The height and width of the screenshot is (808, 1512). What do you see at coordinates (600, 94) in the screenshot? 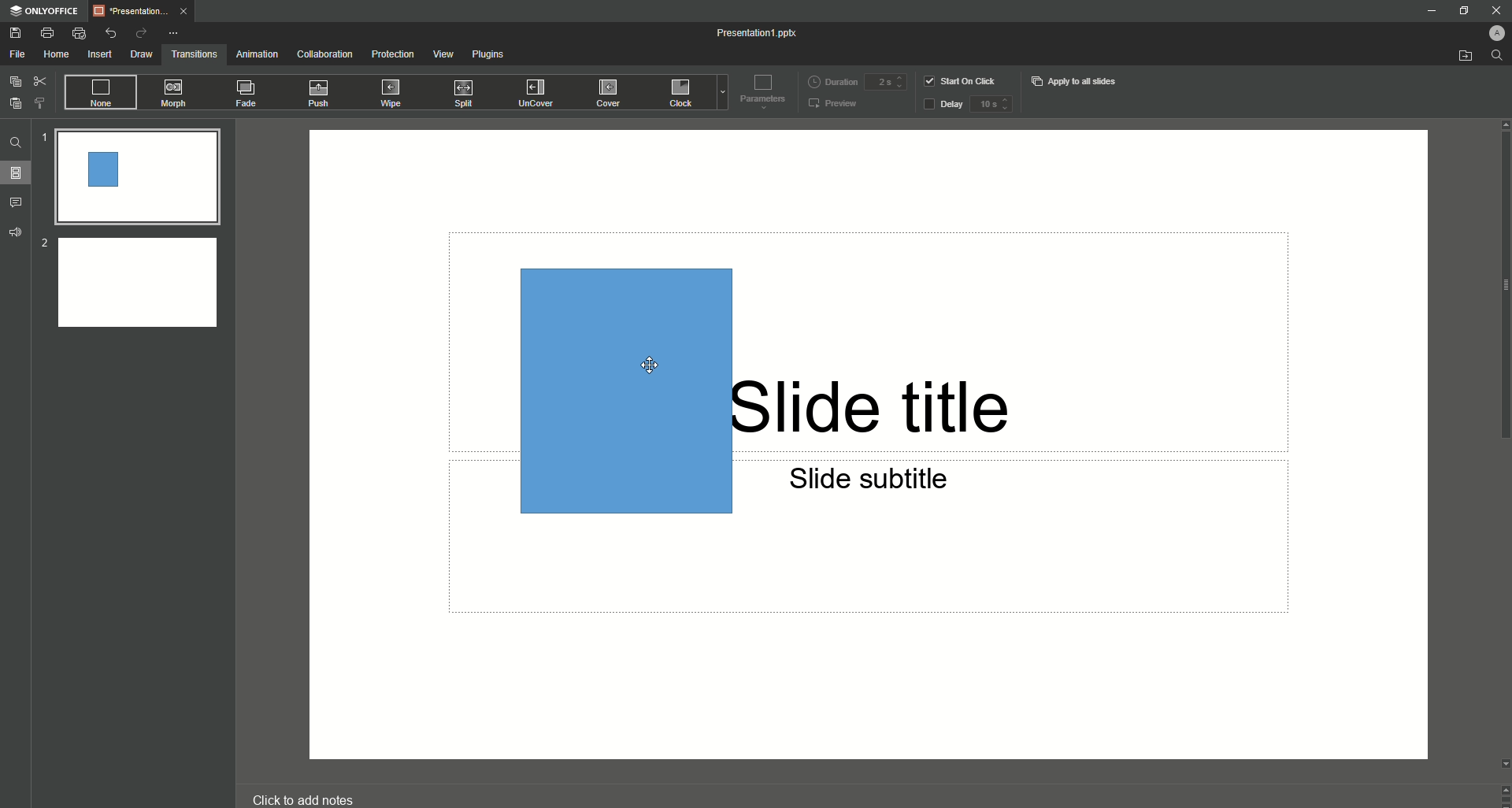
I see `Cover` at bounding box center [600, 94].